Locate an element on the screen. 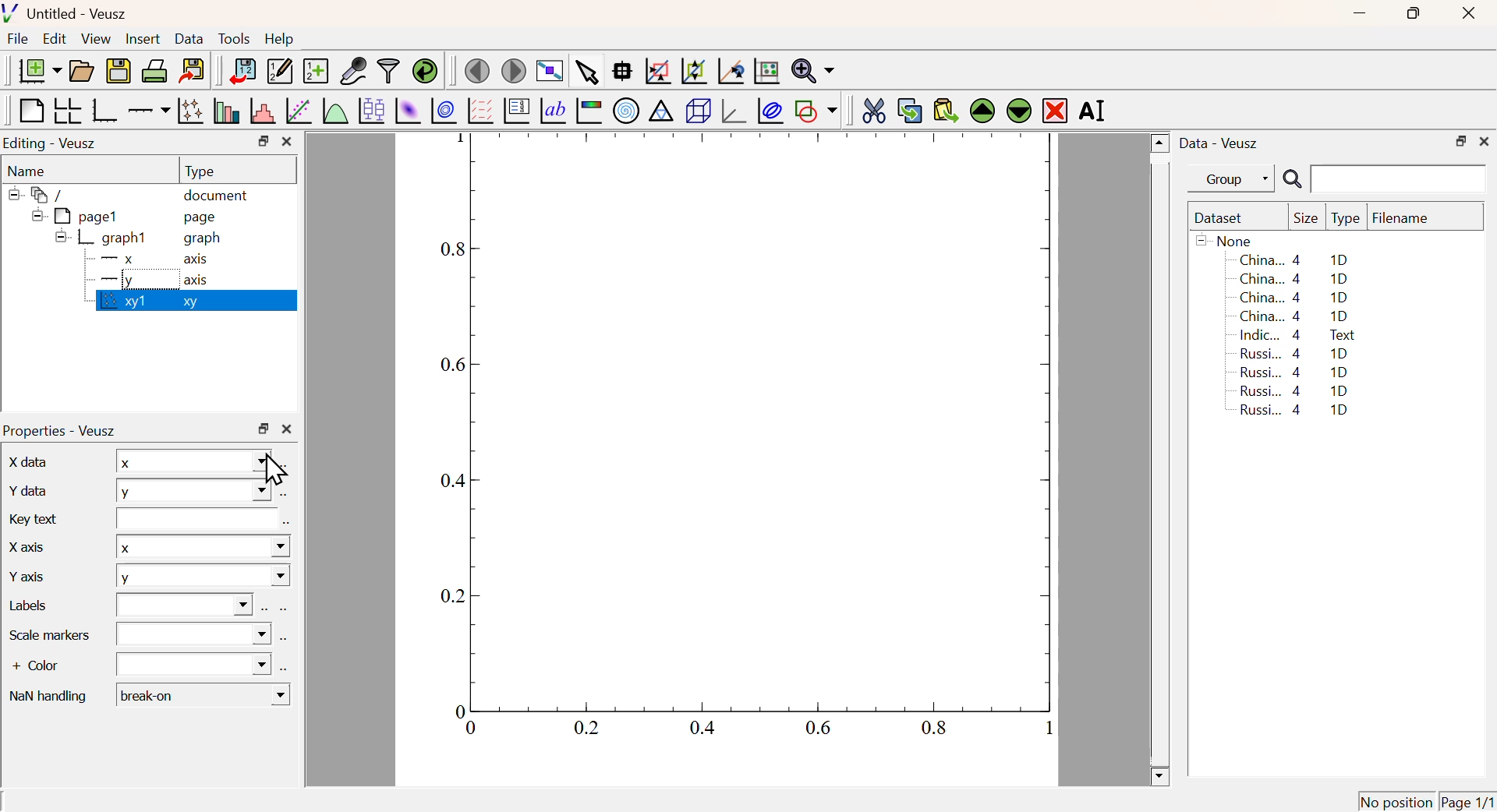 Image resolution: width=1497 pixels, height=812 pixels. File is located at coordinates (18, 39).